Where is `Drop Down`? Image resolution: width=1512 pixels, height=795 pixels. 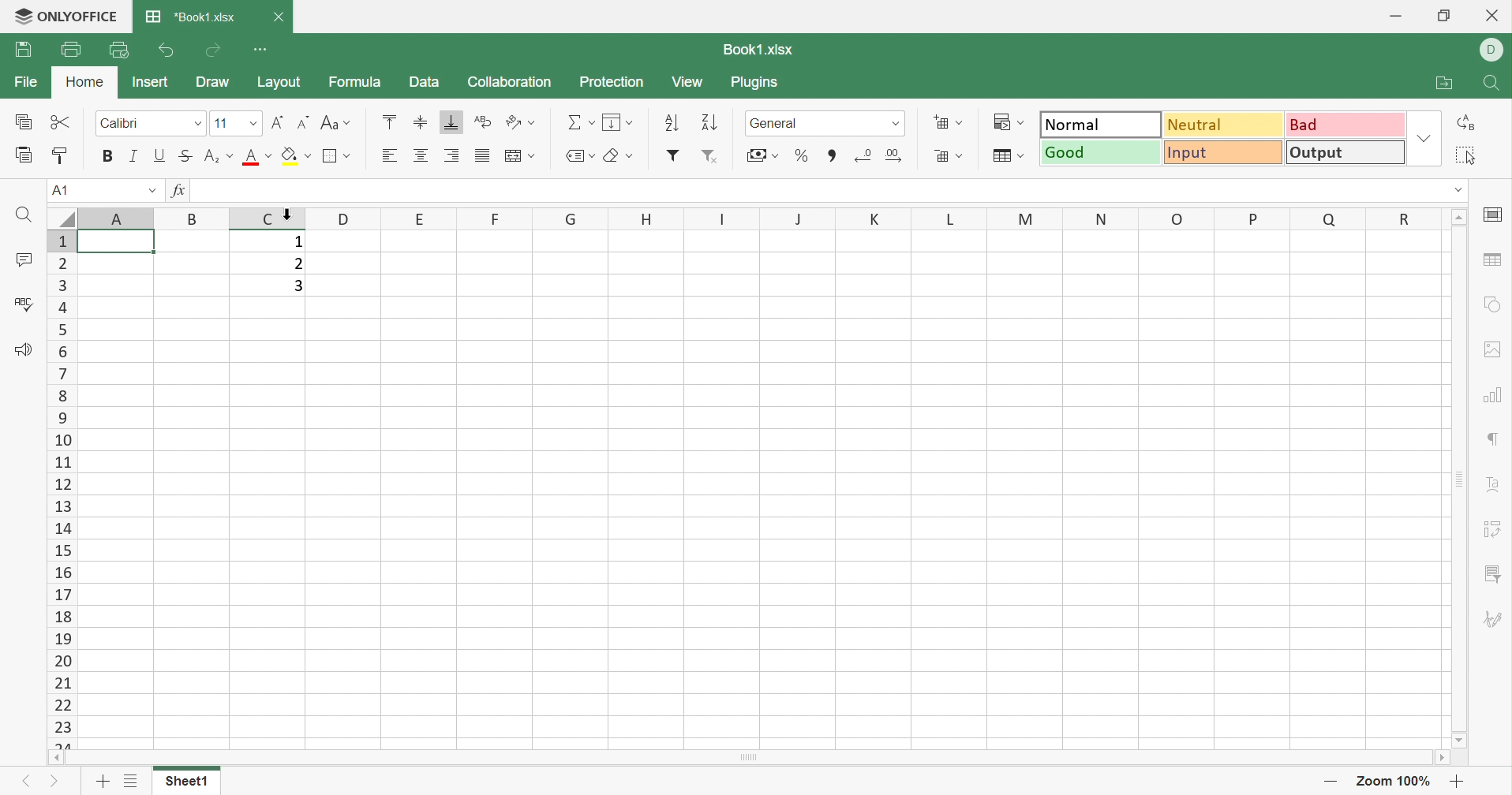 Drop Down is located at coordinates (961, 121).